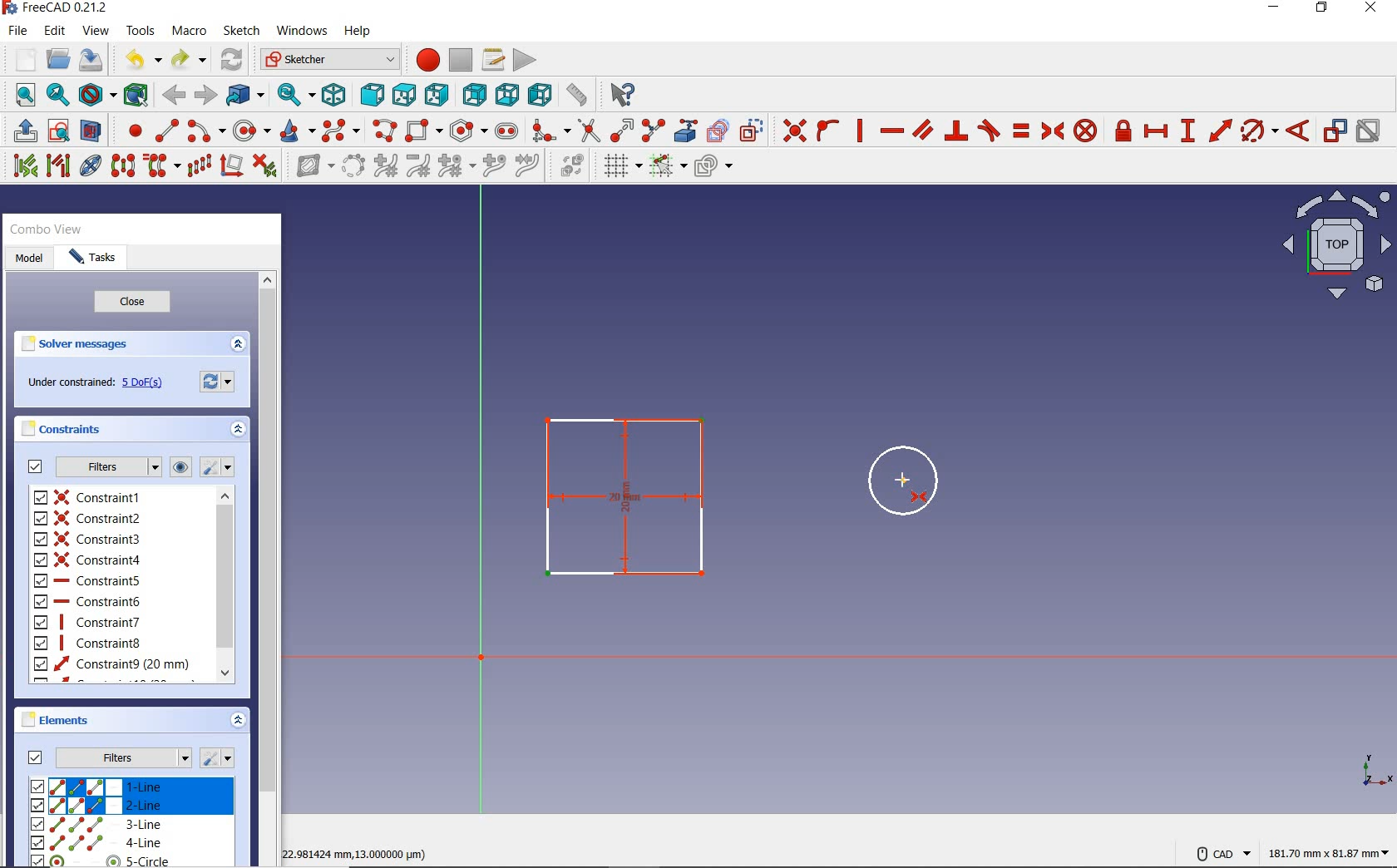  What do you see at coordinates (540, 94) in the screenshot?
I see `left` at bounding box center [540, 94].